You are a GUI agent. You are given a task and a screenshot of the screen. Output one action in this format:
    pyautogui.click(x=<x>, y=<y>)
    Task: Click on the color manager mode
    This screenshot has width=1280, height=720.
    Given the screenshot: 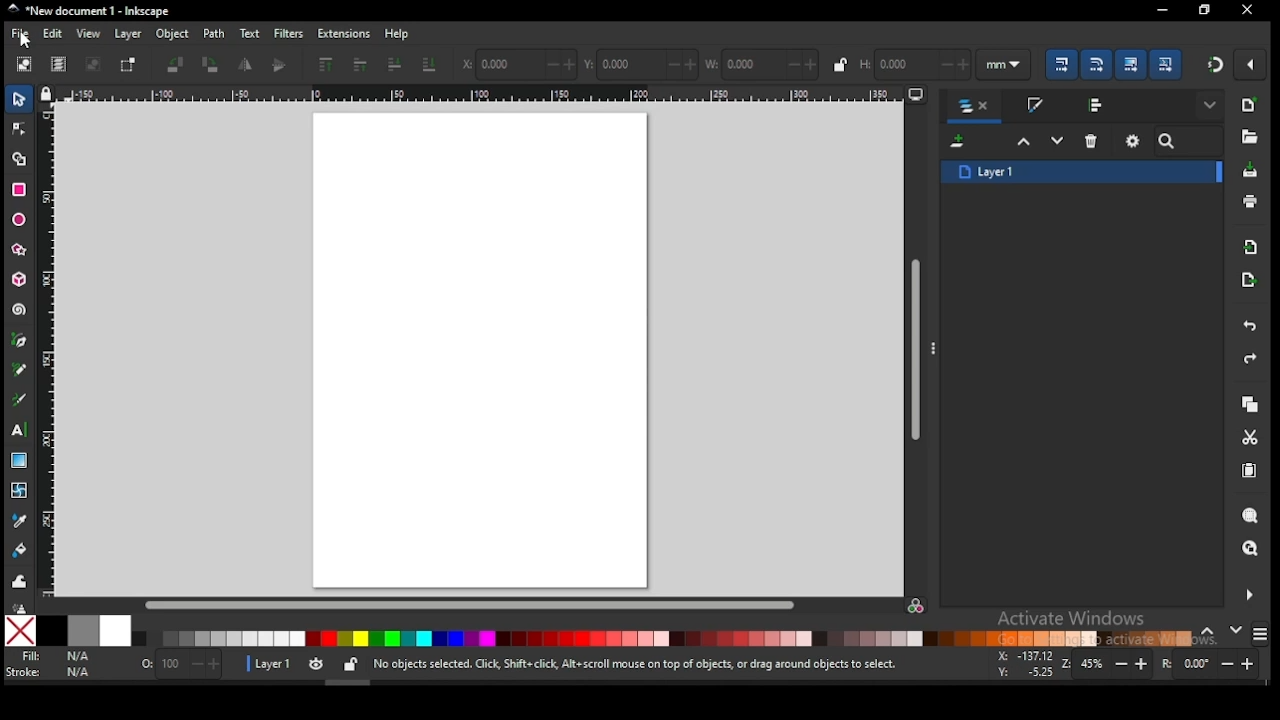 What is the action you would take?
    pyautogui.click(x=917, y=607)
    